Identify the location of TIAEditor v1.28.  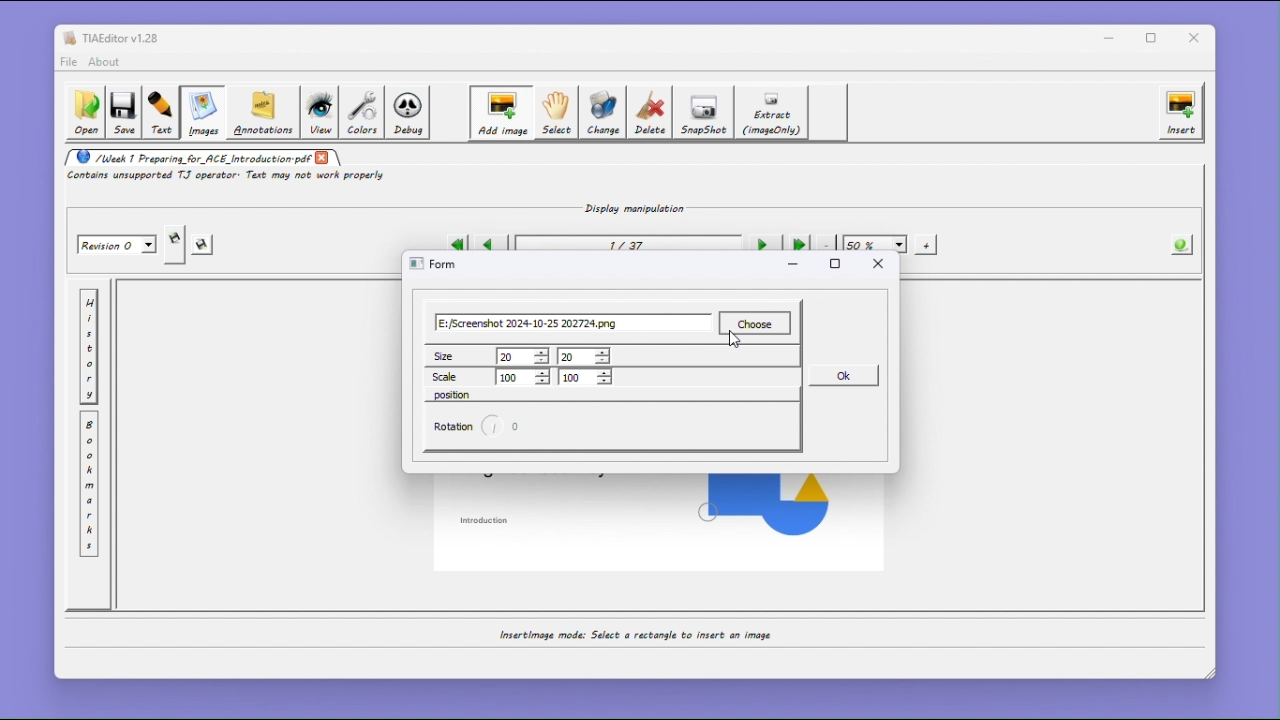
(111, 37).